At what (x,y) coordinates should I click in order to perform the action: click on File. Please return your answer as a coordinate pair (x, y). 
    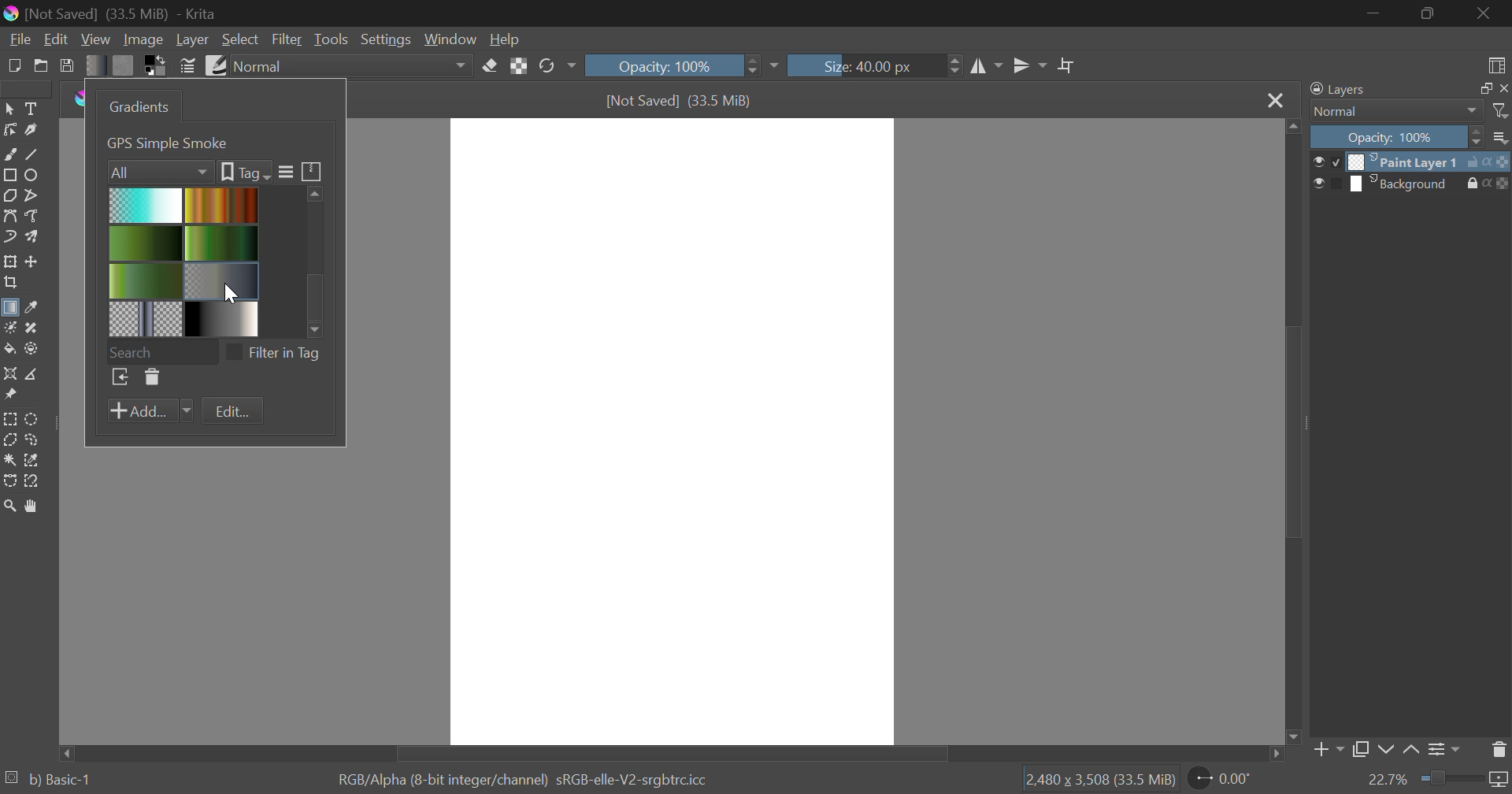
    Looking at the image, I should click on (18, 38).